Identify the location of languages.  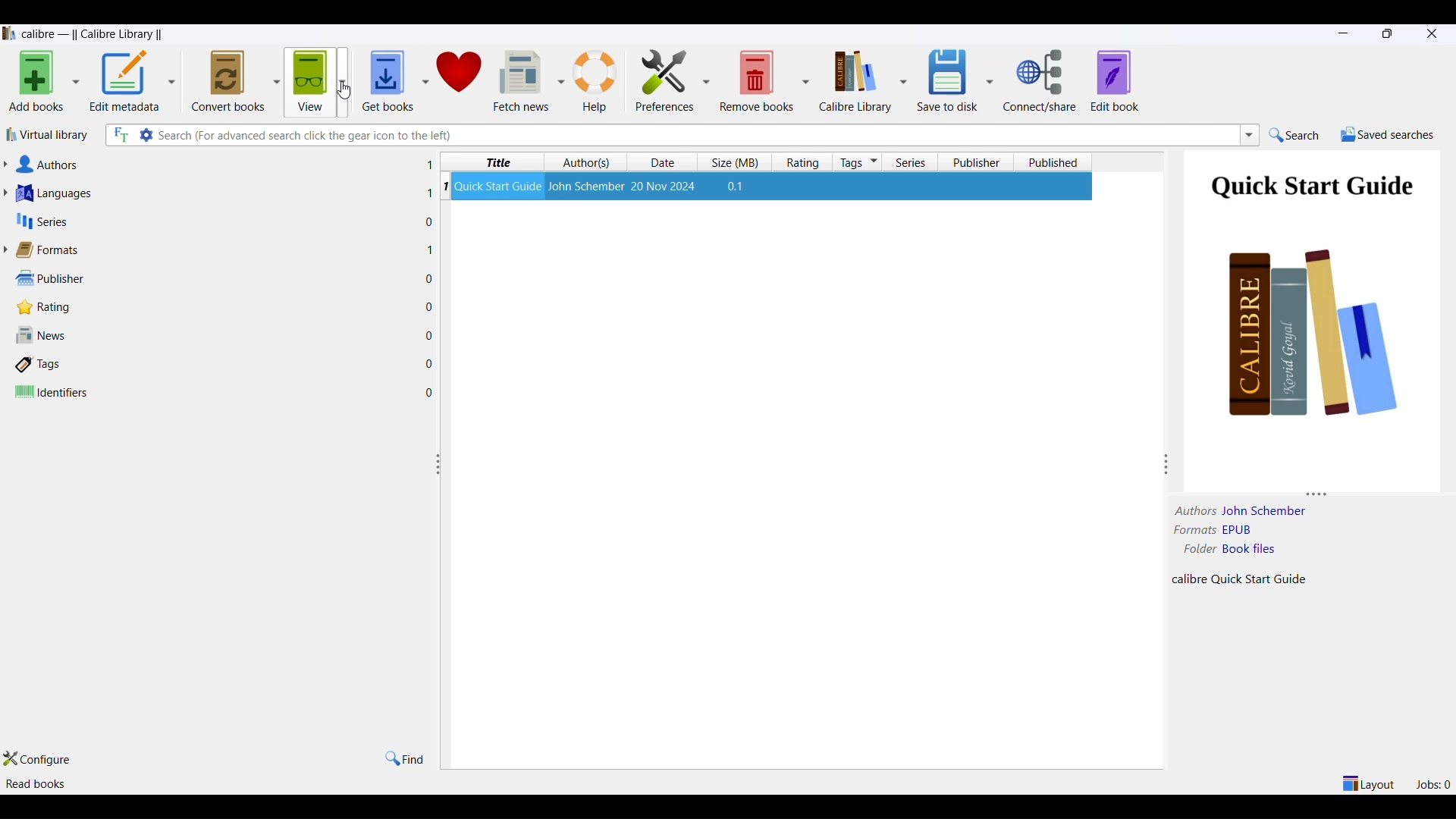
(218, 190).